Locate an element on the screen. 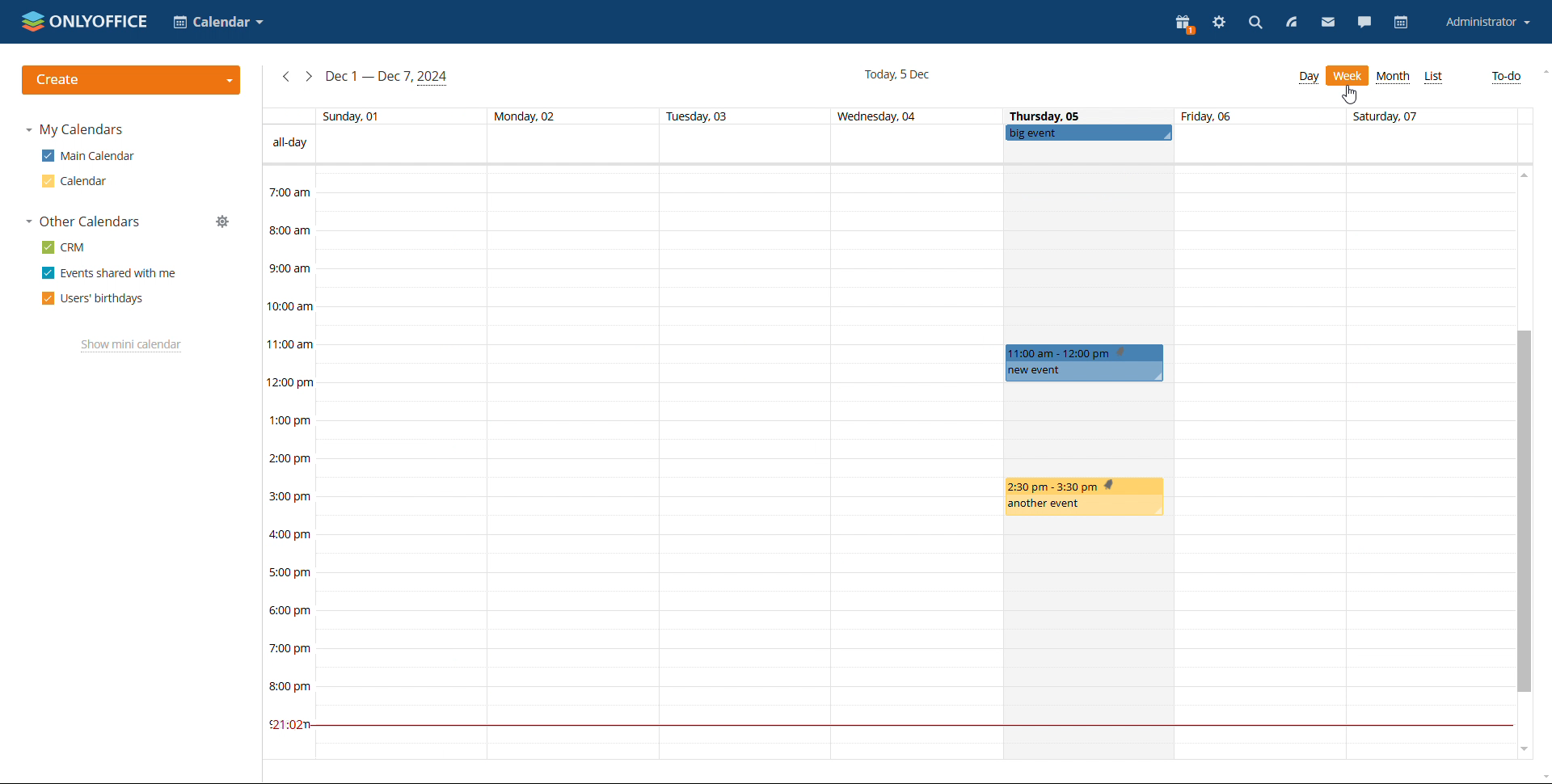 Image resolution: width=1552 pixels, height=784 pixels. week view is located at coordinates (1347, 76).